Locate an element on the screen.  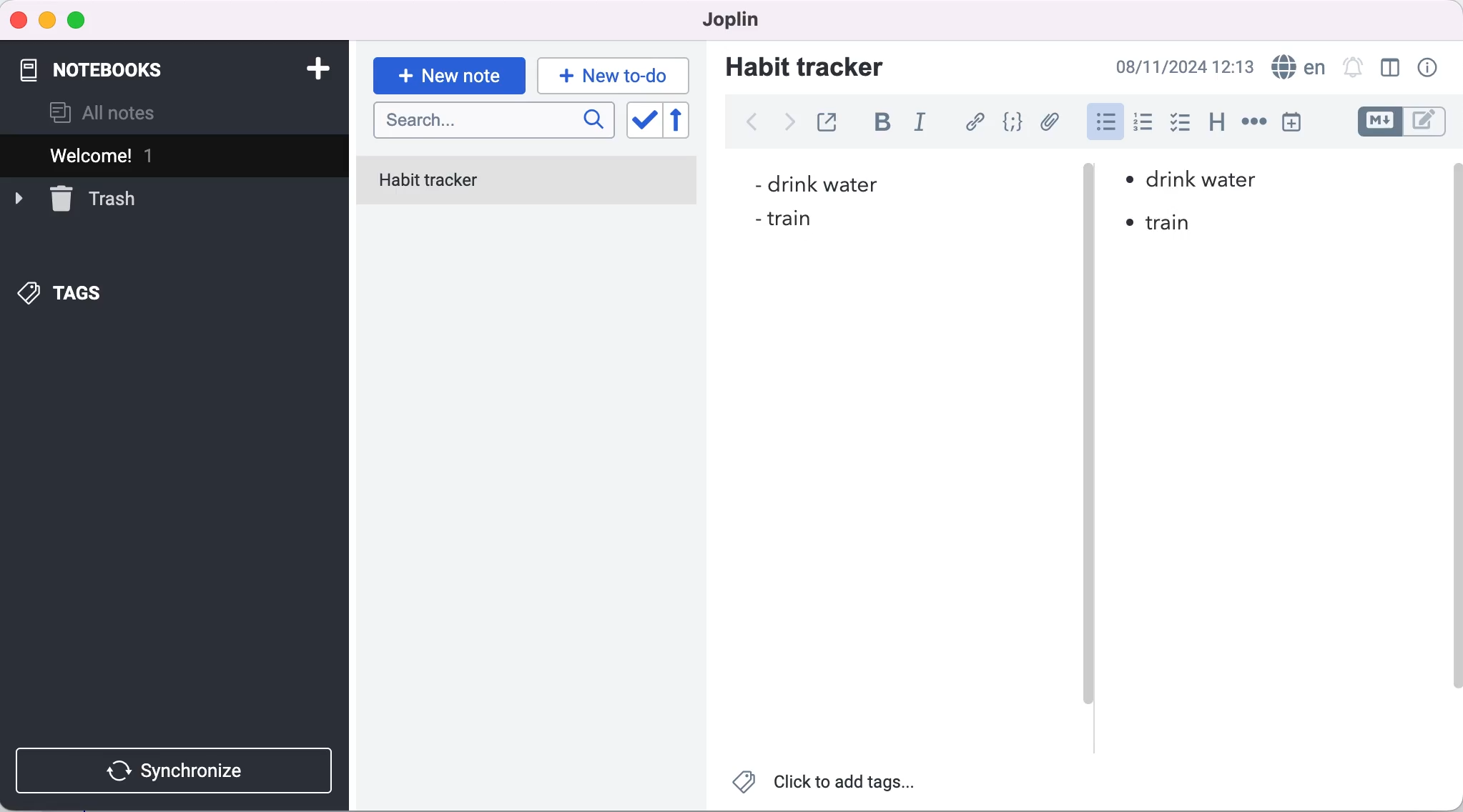
toggle sort order field is located at coordinates (643, 122).